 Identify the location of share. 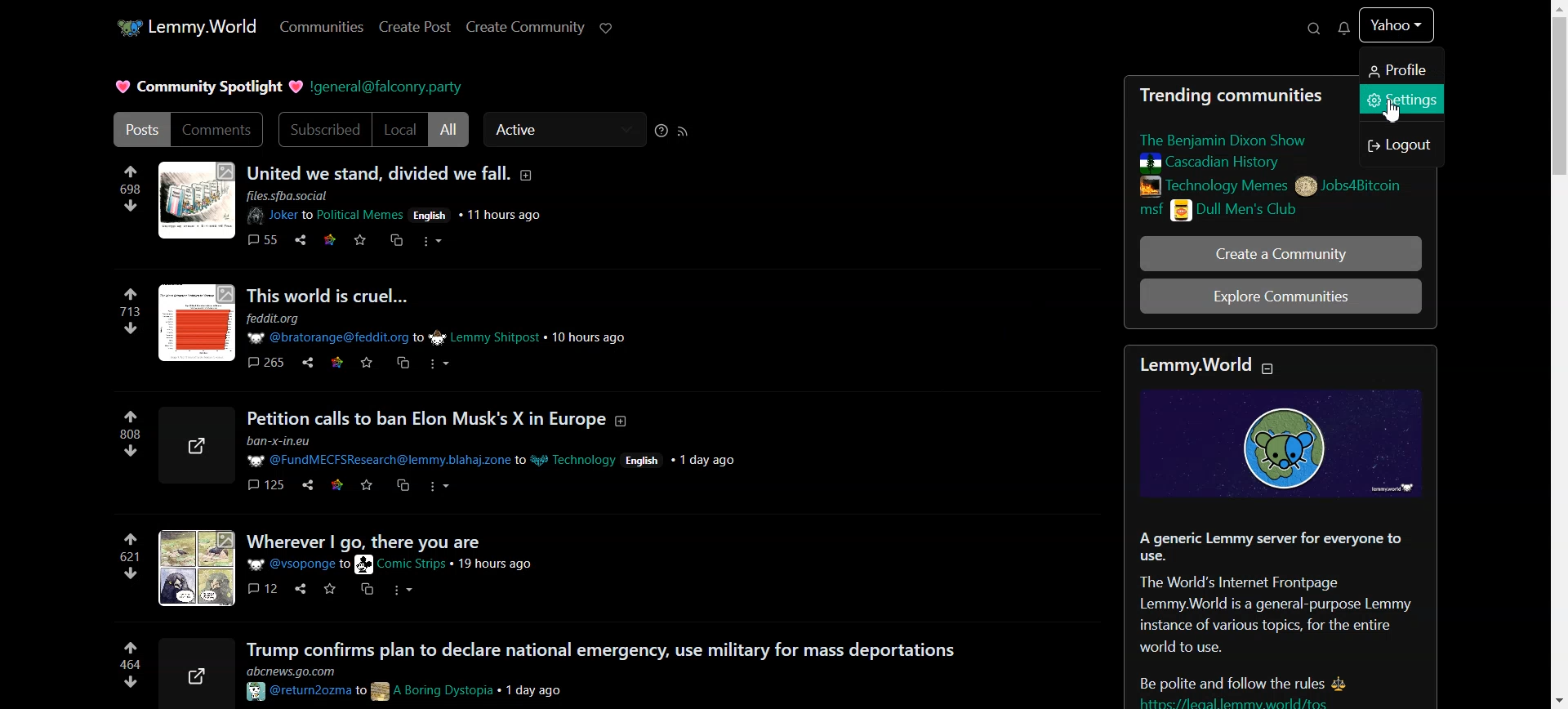
(188, 443).